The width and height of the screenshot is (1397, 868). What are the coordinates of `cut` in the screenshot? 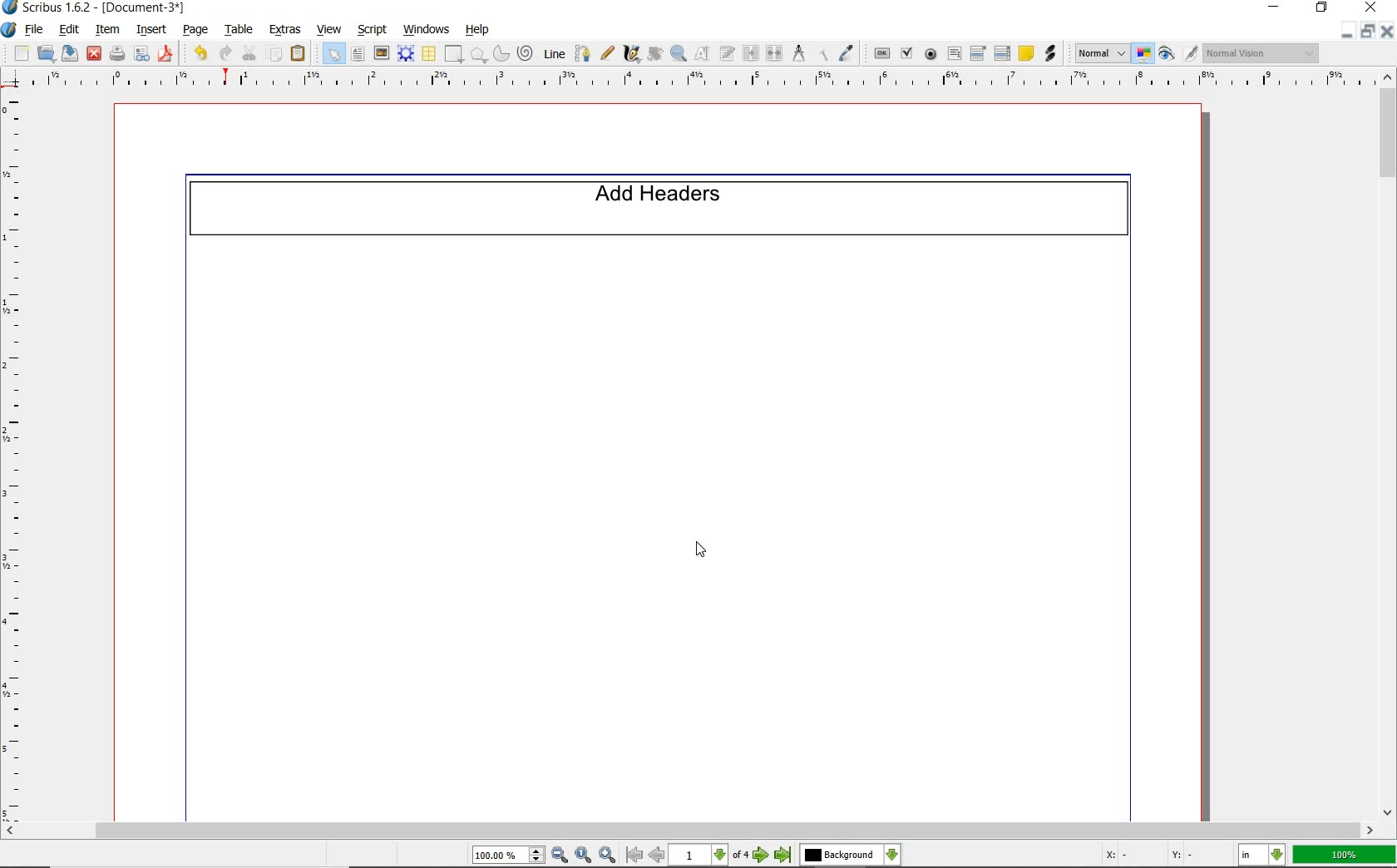 It's located at (249, 53).